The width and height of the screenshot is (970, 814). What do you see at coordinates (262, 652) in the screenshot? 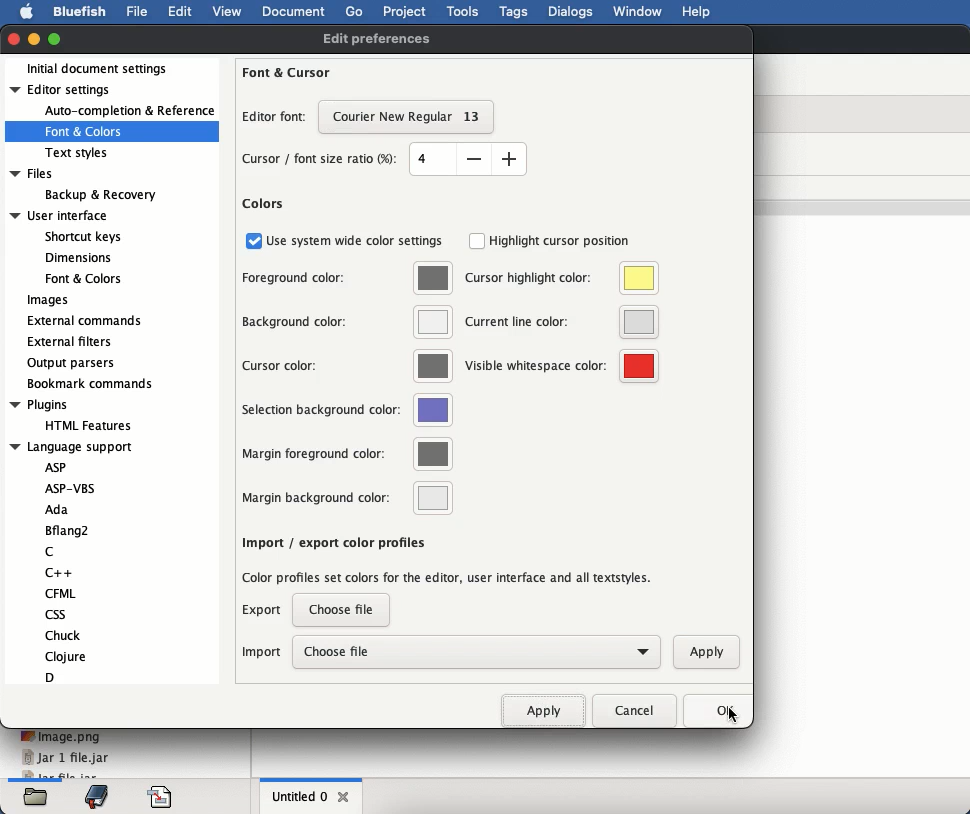
I see `import` at bounding box center [262, 652].